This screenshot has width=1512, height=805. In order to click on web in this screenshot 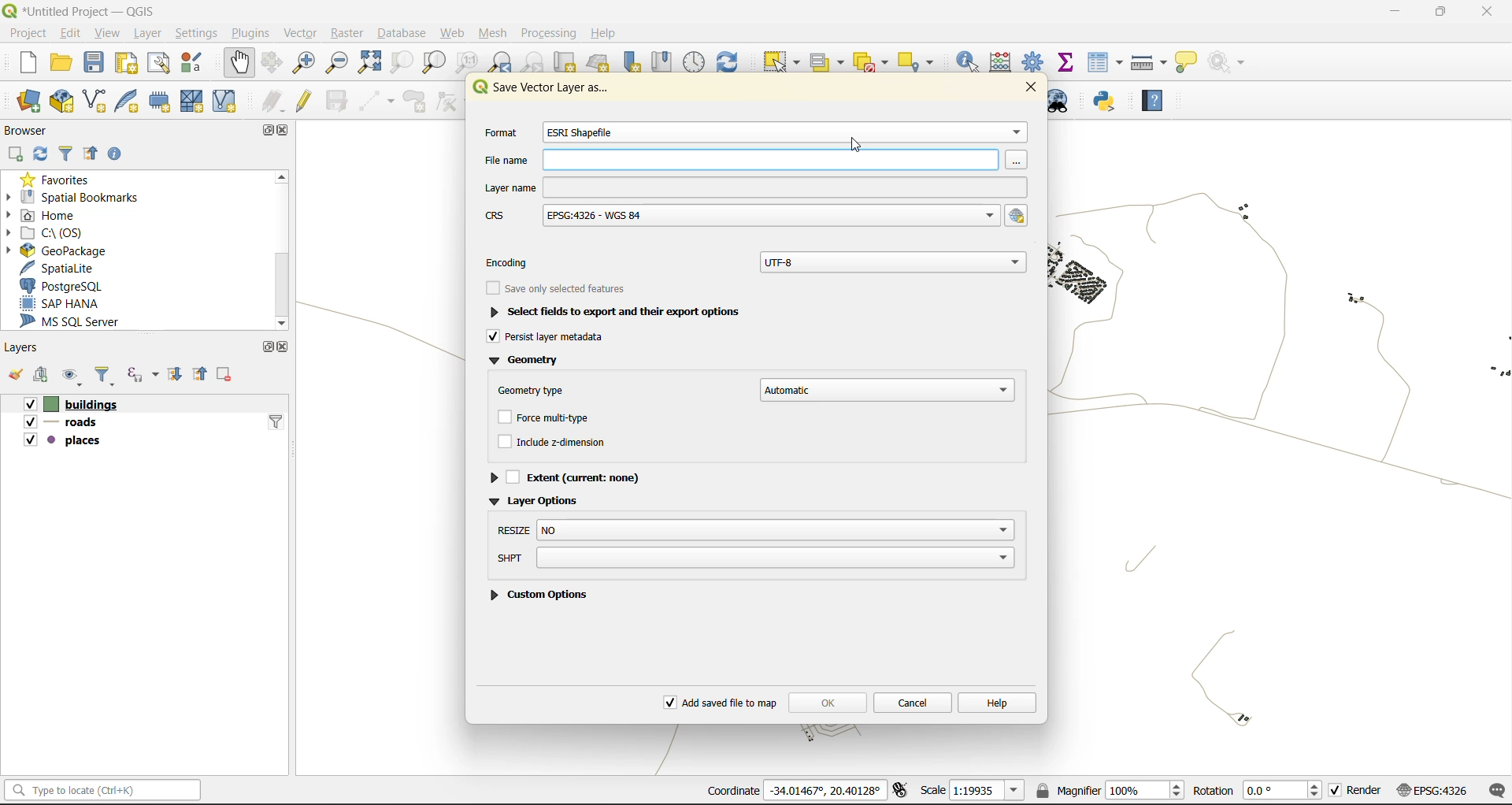, I will do `click(454, 32)`.